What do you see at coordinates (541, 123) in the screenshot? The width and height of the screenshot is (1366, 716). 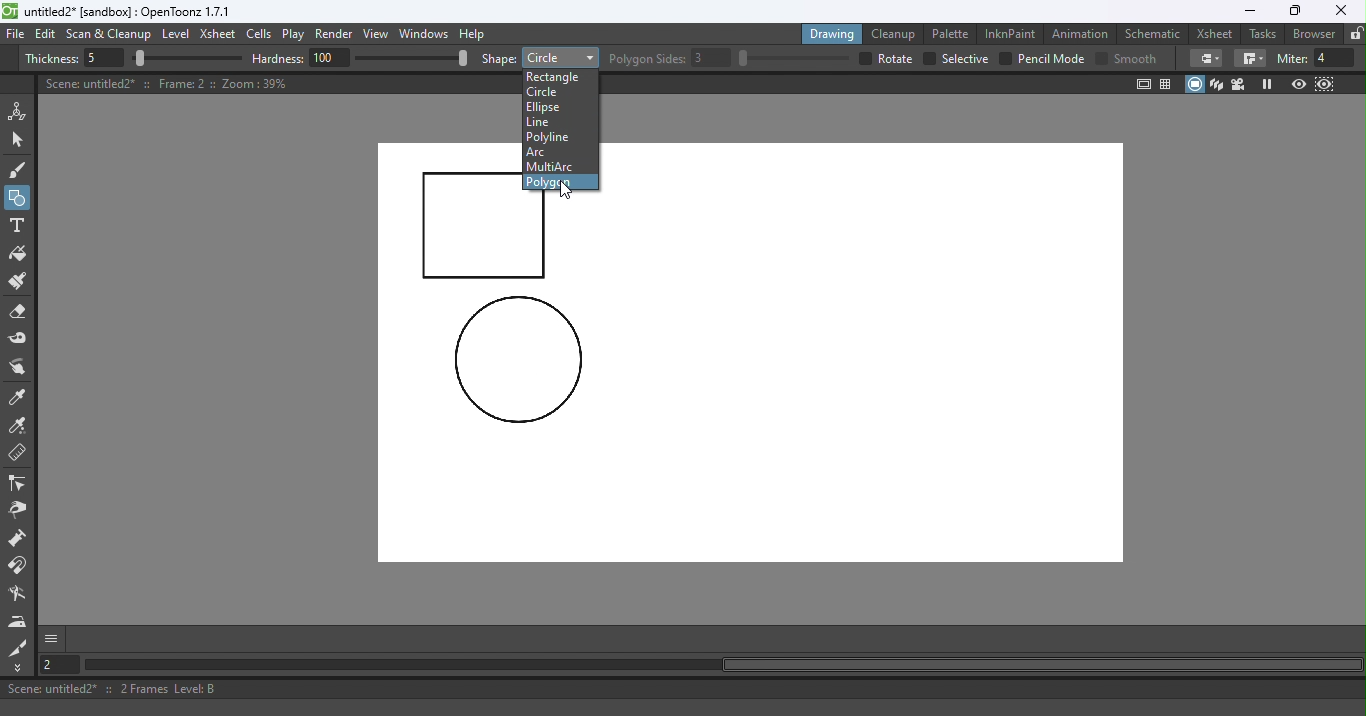 I see `Line` at bounding box center [541, 123].